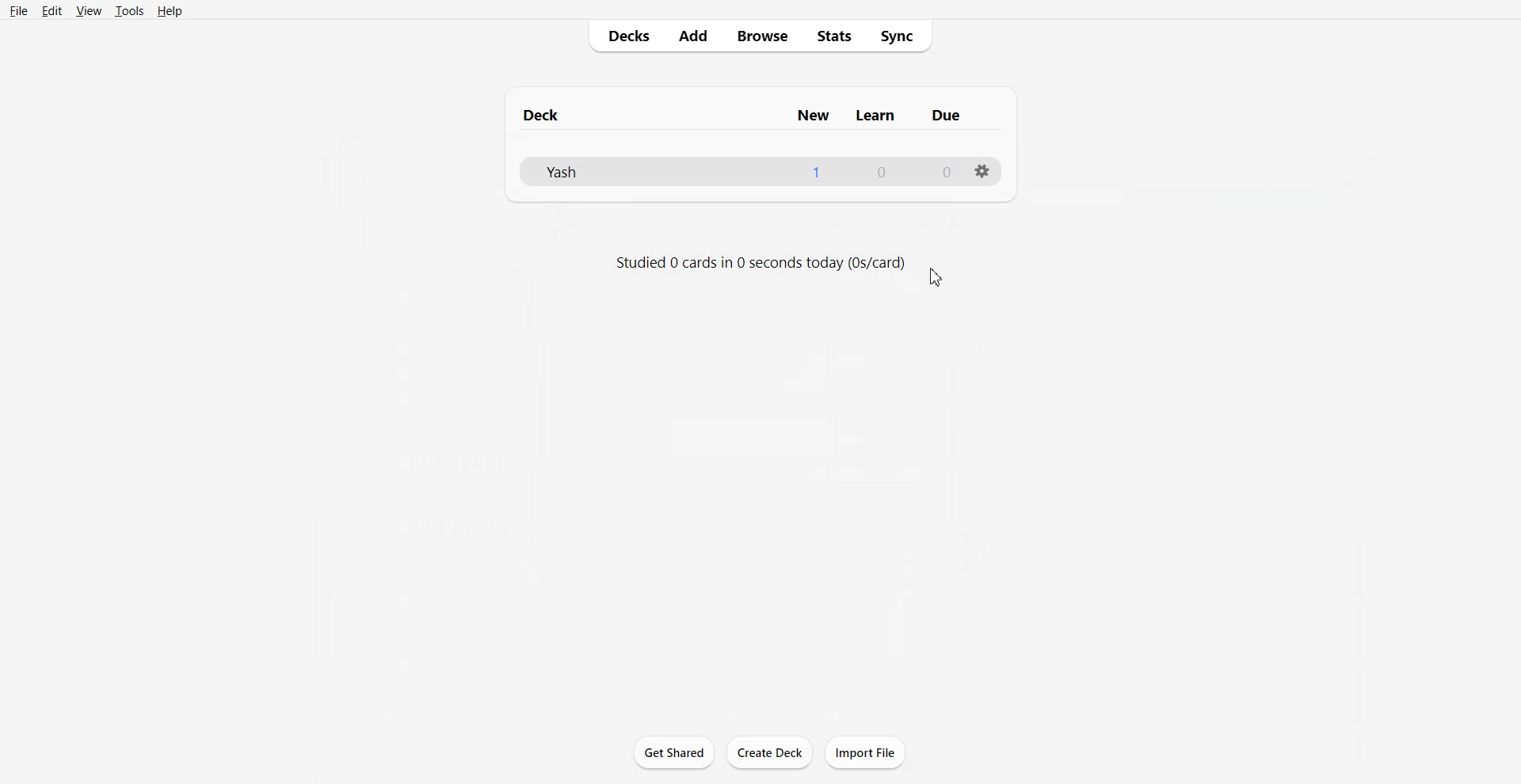  Describe the element at coordinates (936, 276) in the screenshot. I see `Cursor` at that location.